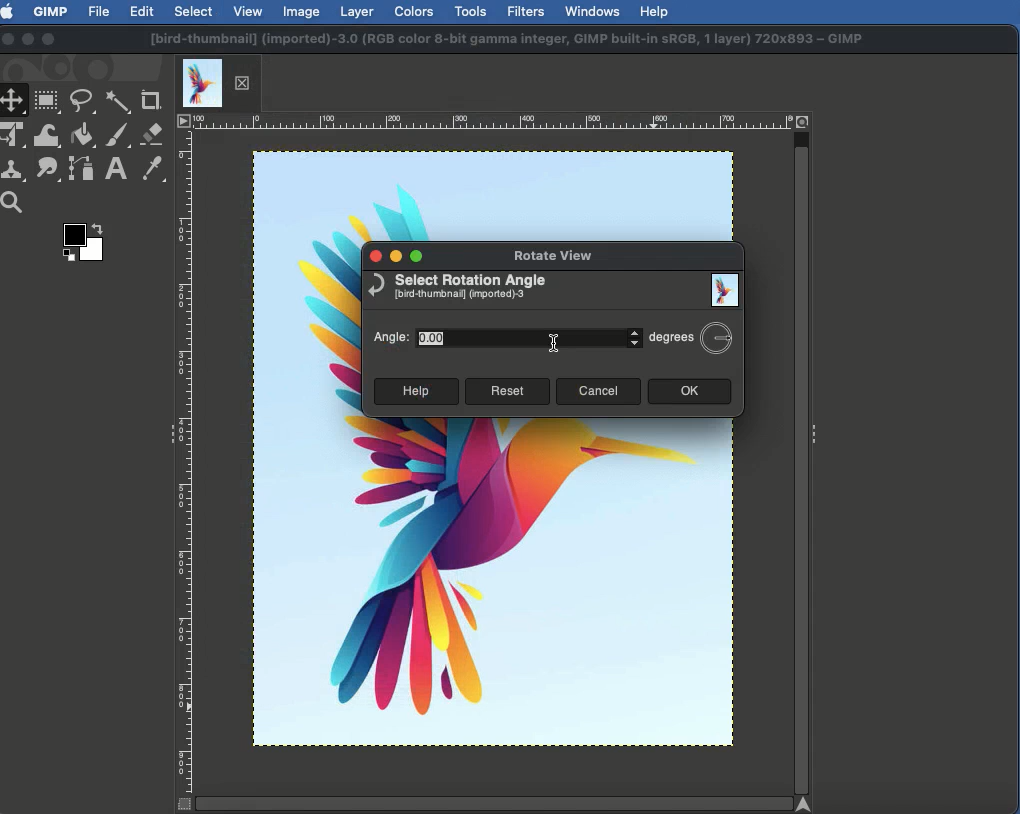 This screenshot has width=1020, height=814. Describe the element at coordinates (47, 102) in the screenshot. I see `Rectangular selector` at that location.